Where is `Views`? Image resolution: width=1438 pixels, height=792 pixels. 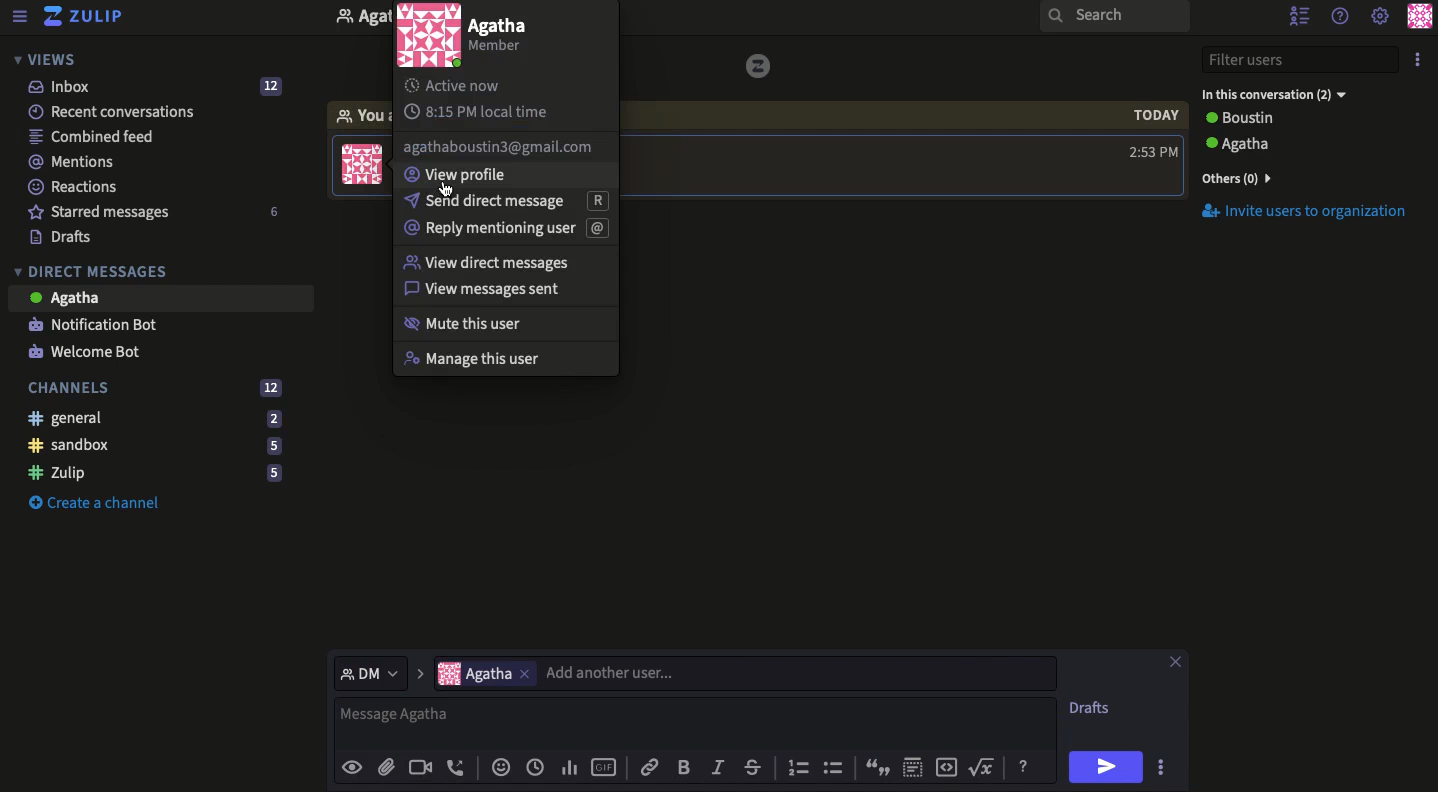 Views is located at coordinates (50, 60).